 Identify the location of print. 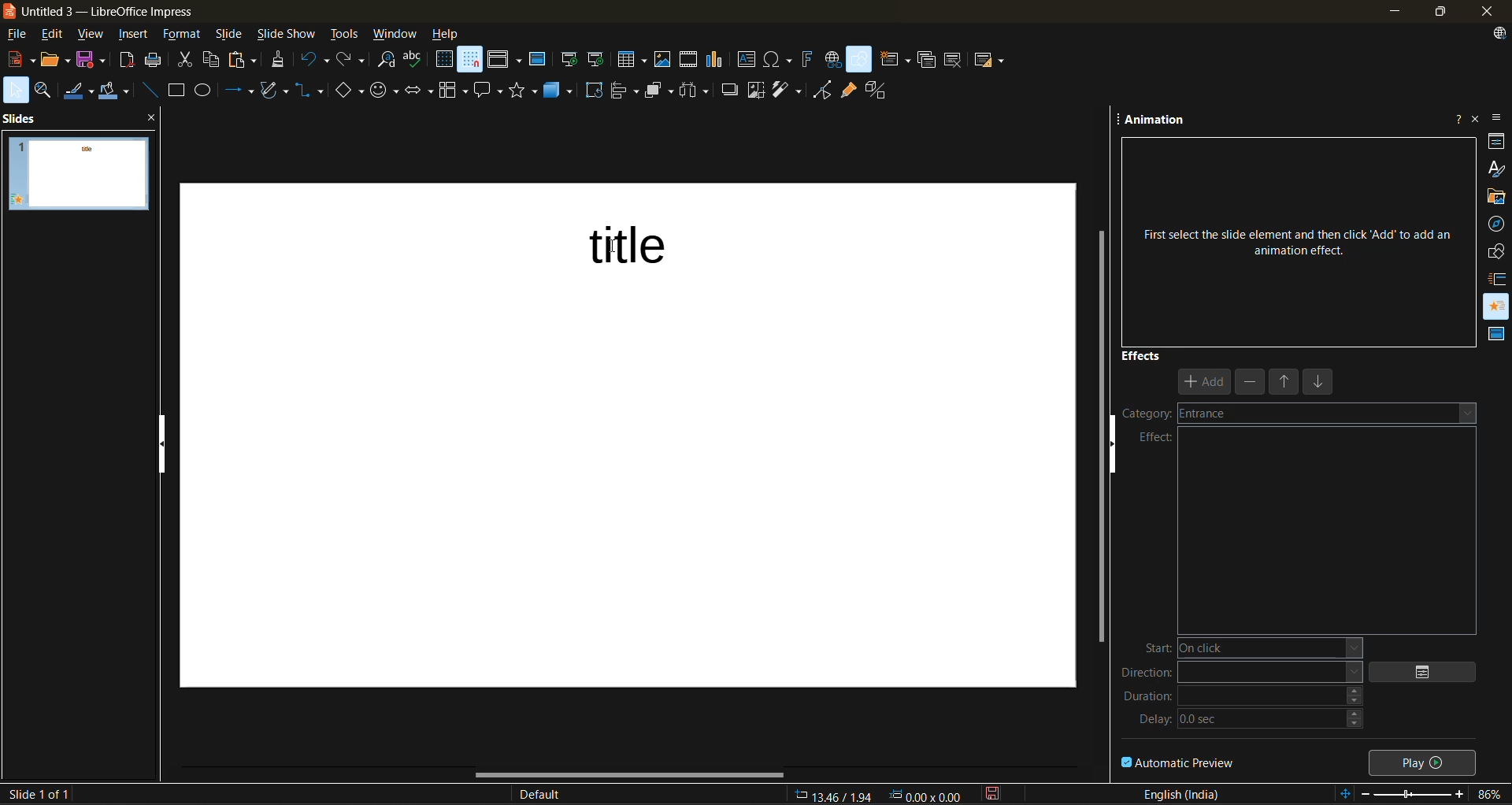
(158, 60).